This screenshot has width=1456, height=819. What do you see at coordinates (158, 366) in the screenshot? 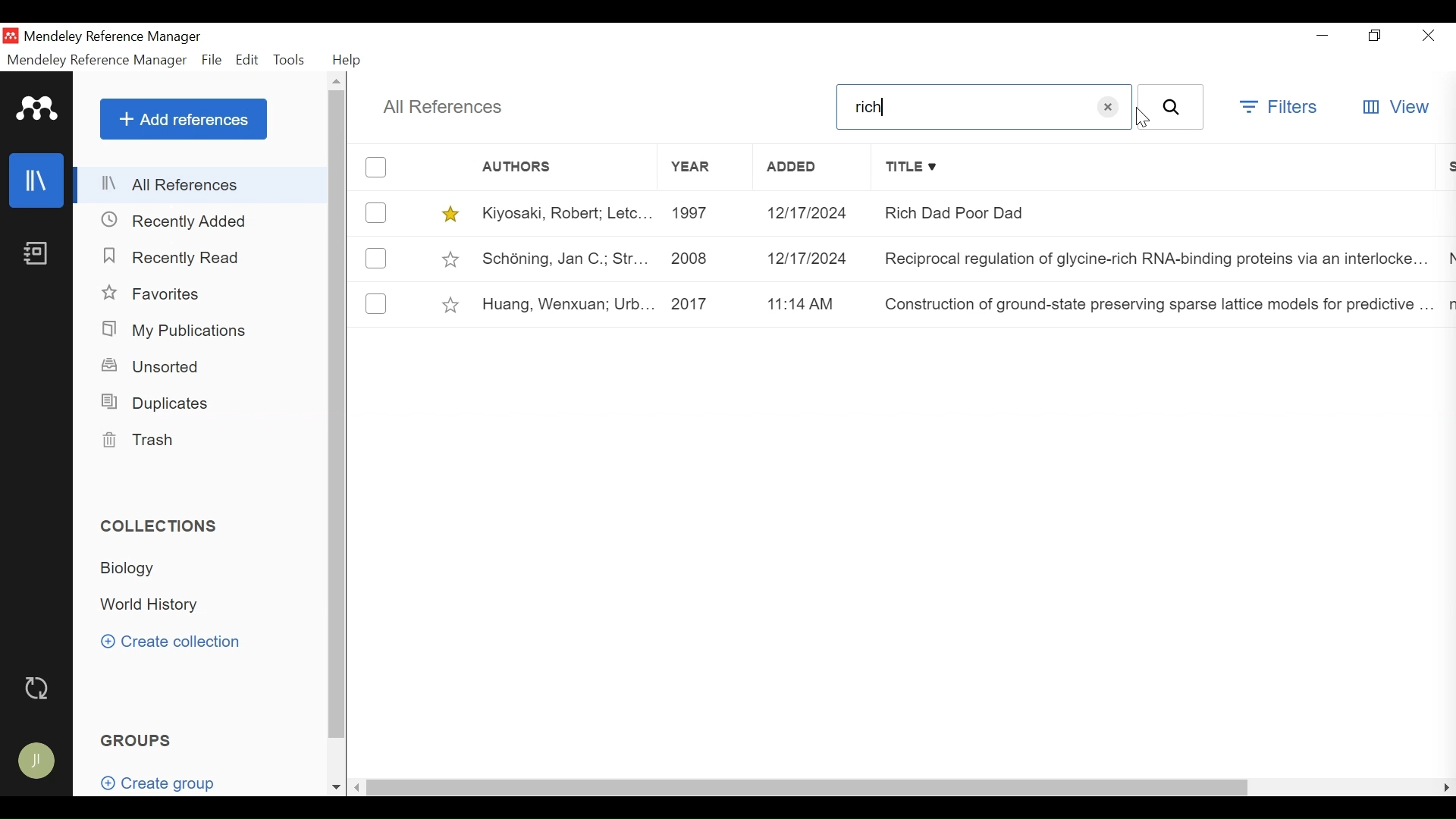
I see `Unsorted` at bounding box center [158, 366].